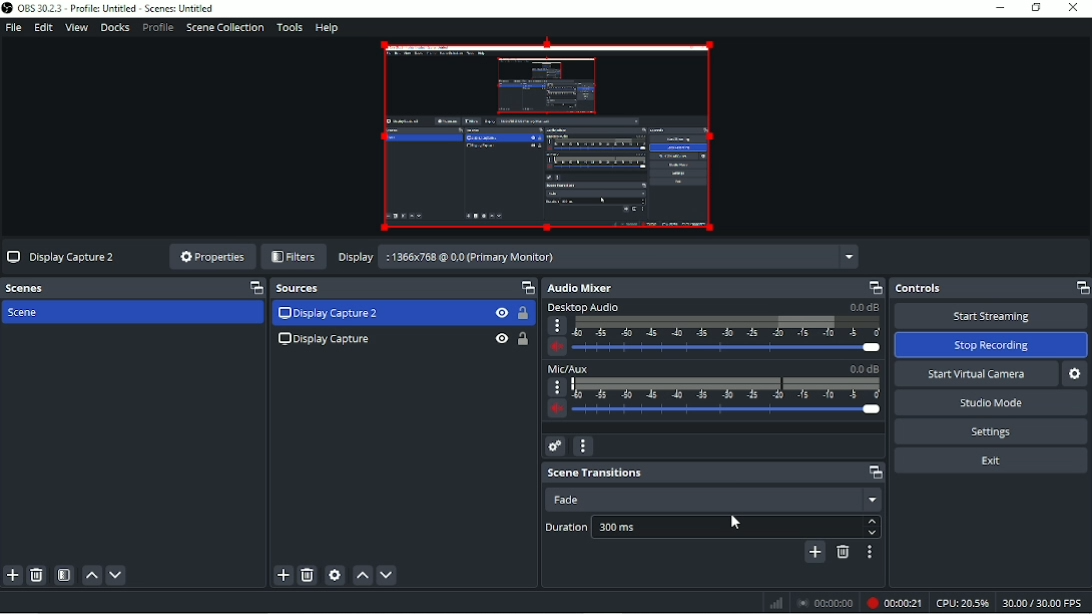 The width and height of the screenshot is (1092, 614). I want to click on Transition properties, so click(867, 553).